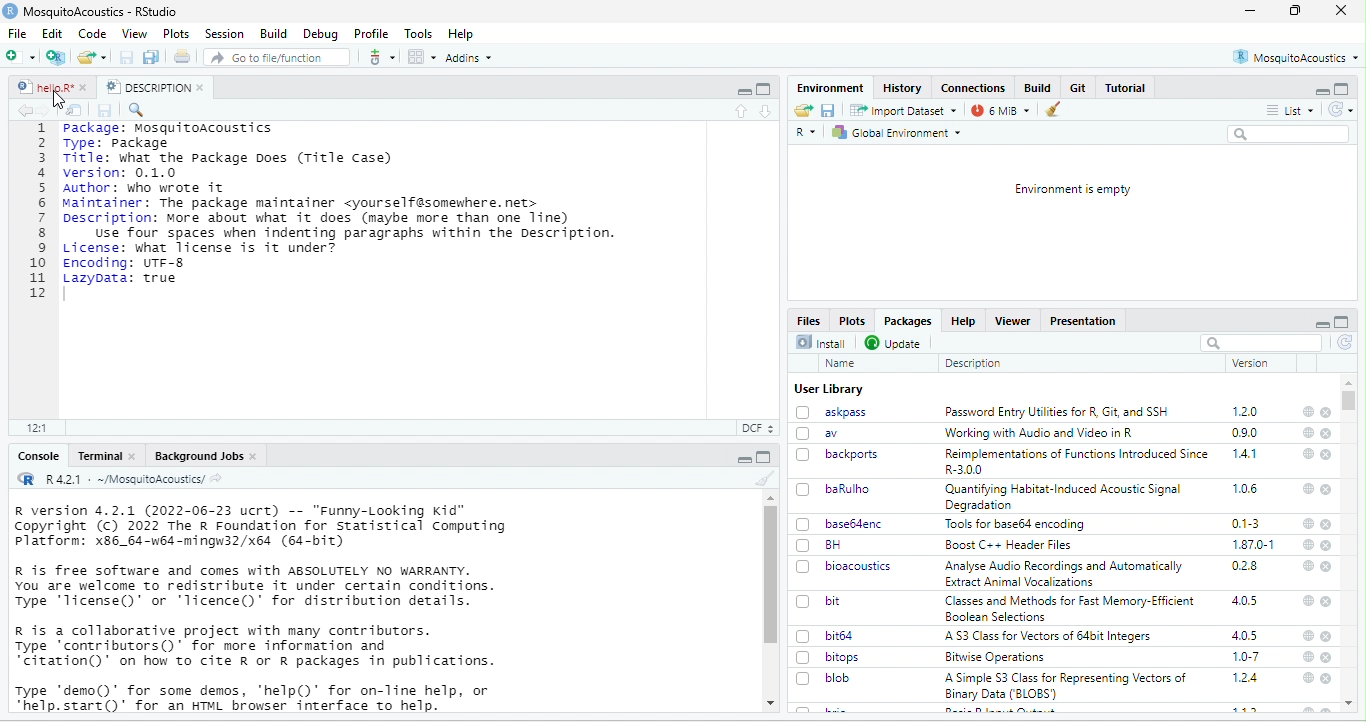  Describe the element at coordinates (1245, 657) in the screenshot. I see `1.0-7` at that location.